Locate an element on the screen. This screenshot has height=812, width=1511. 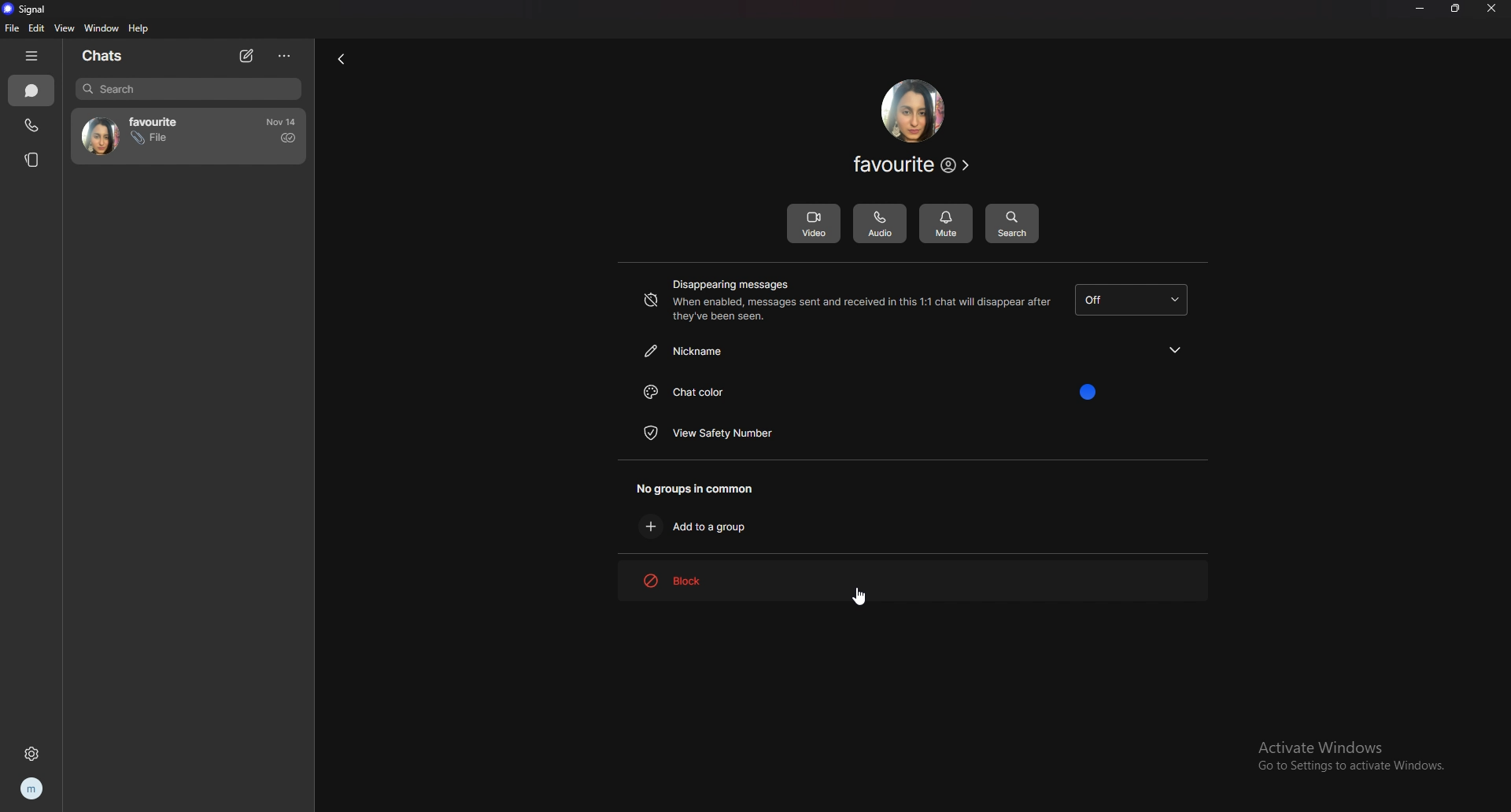
delivered is located at coordinates (288, 138).